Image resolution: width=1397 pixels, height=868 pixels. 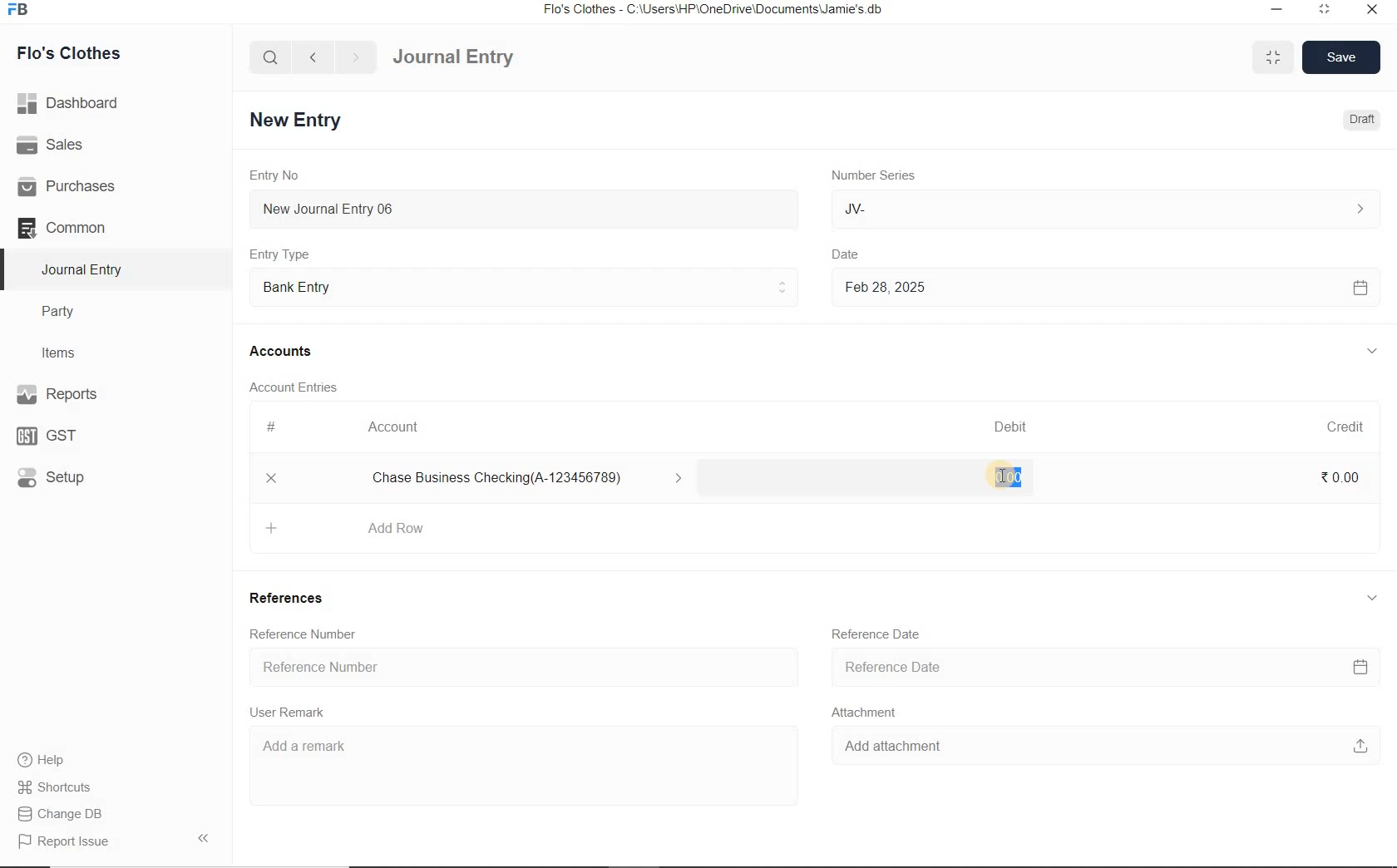 What do you see at coordinates (1006, 478) in the screenshot?
I see `₹ 0.00` at bounding box center [1006, 478].